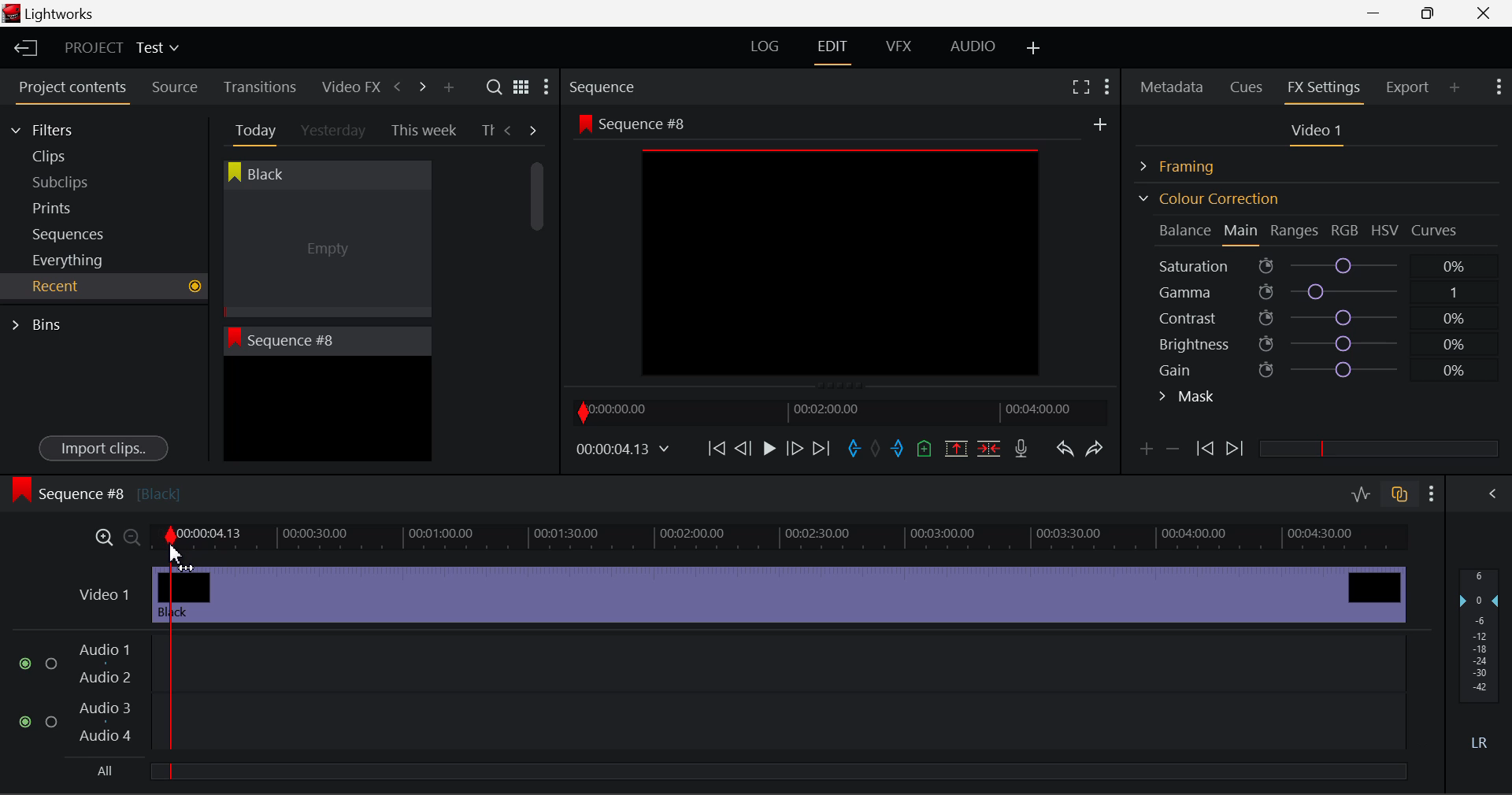 Image resolution: width=1512 pixels, height=795 pixels. I want to click on Today Tab Open, so click(252, 130).